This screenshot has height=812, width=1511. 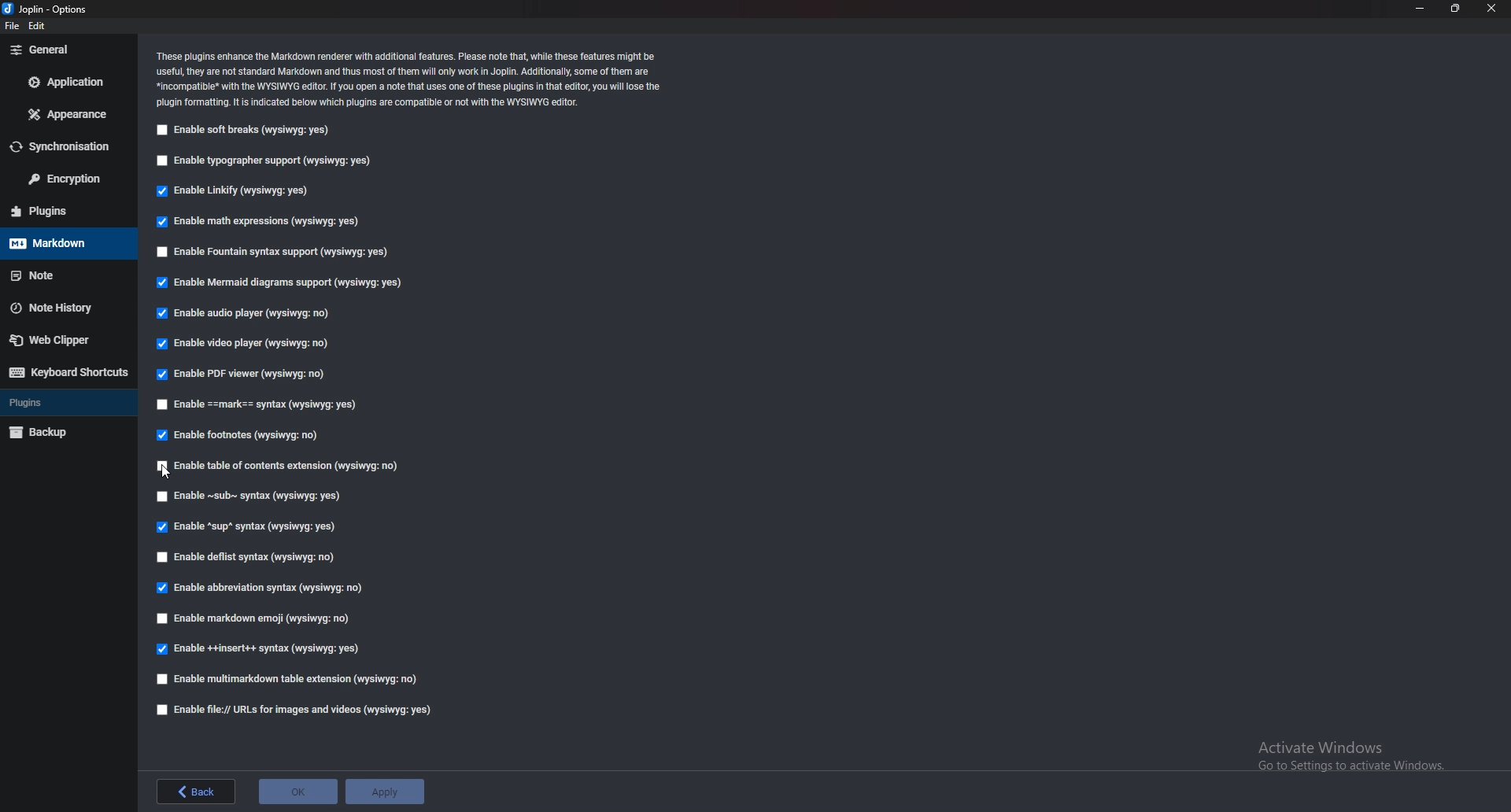 What do you see at coordinates (67, 339) in the screenshot?
I see `Webclipper` at bounding box center [67, 339].